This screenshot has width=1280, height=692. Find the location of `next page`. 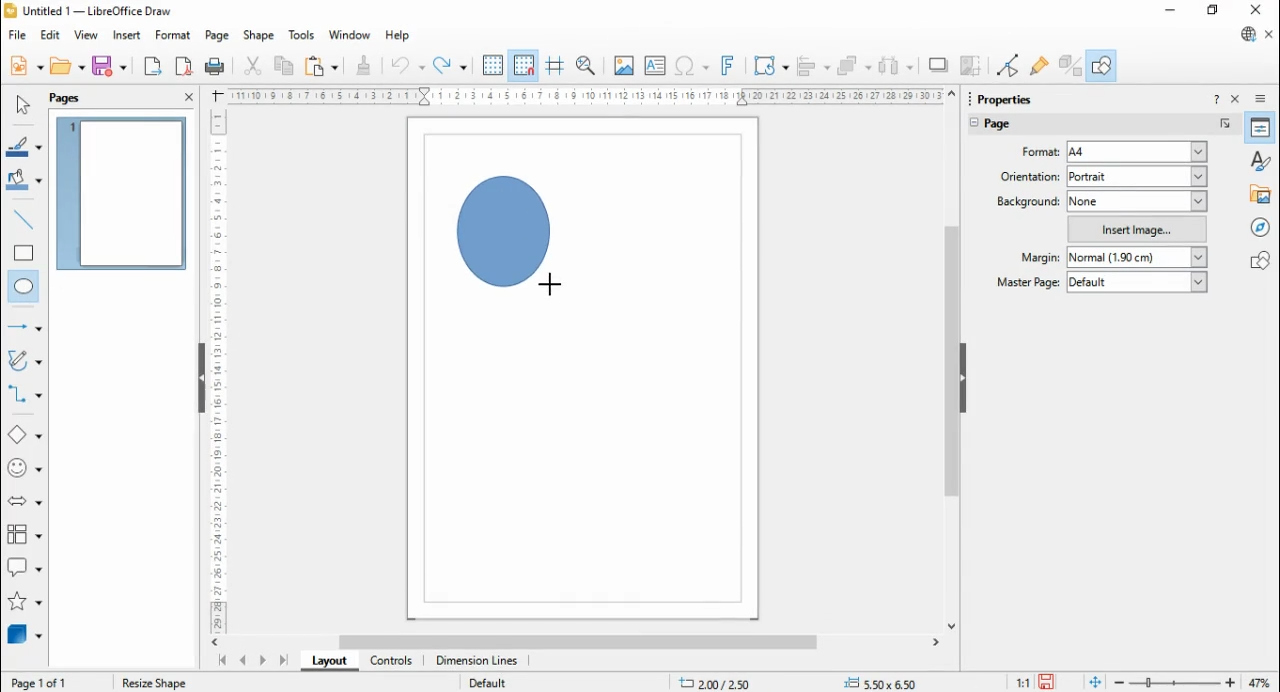

next page is located at coordinates (263, 662).